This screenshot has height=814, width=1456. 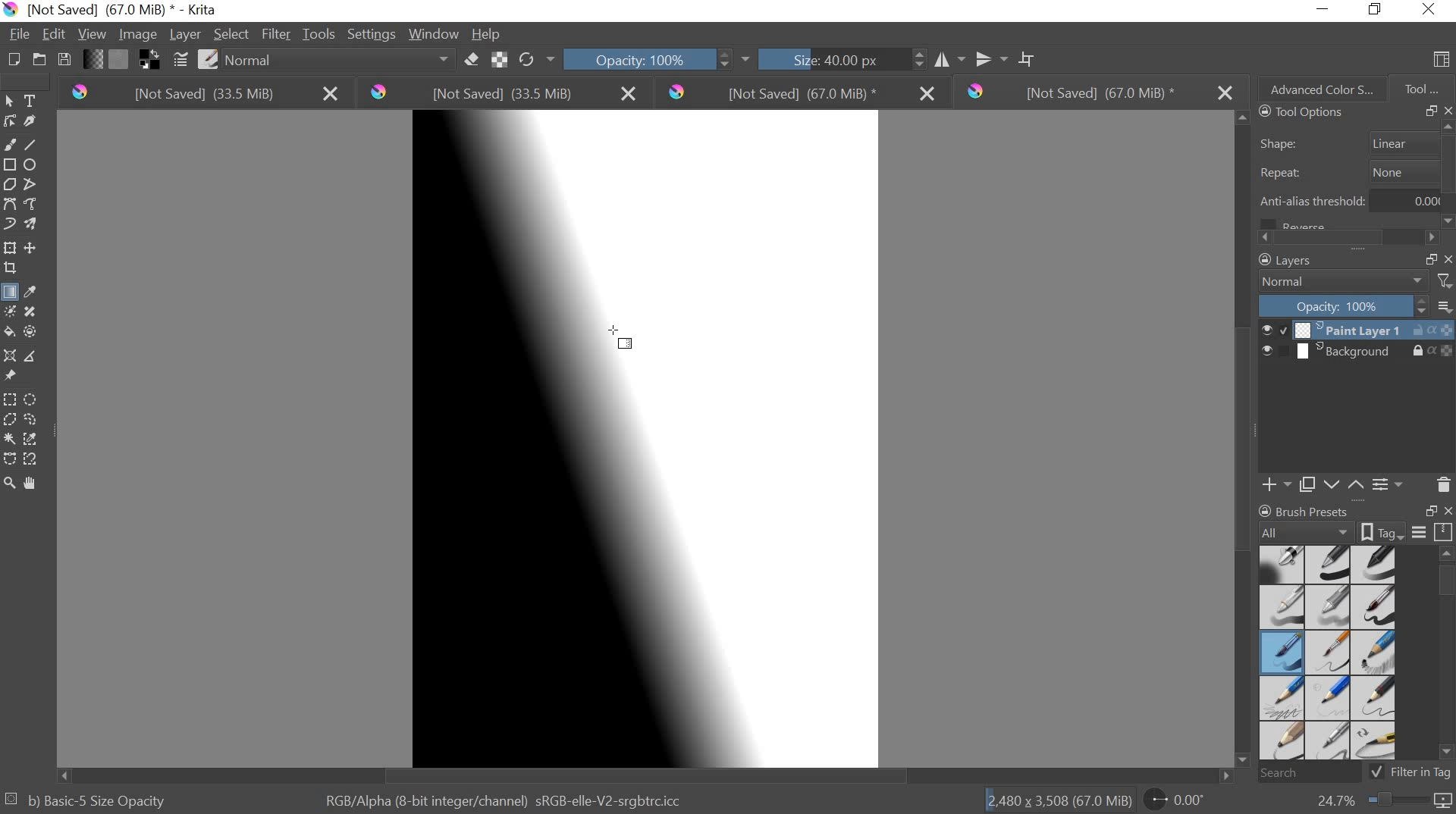 I want to click on SWAP FOREGROUND AND BACKGROUND COLORS, so click(x=149, y=61).